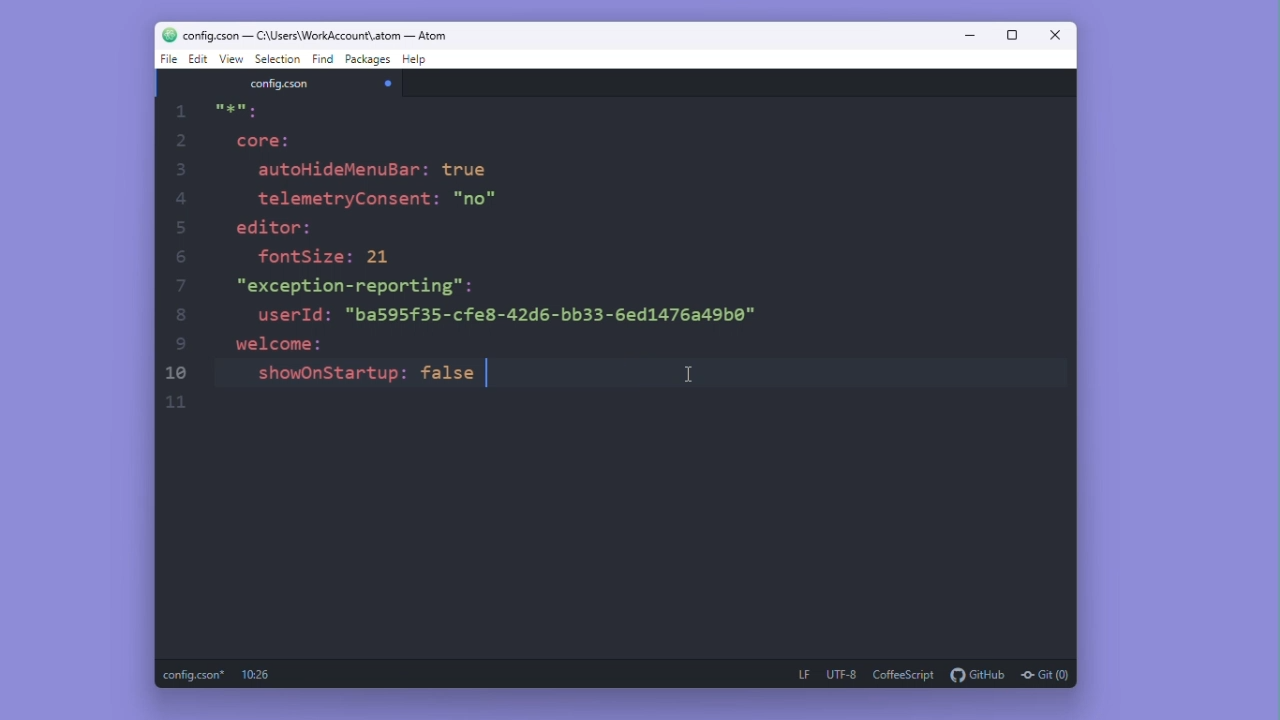 Image resolution: width=1280 pixels, height=720 pixels. Describe the element at coordinates (369, 61) in the screenshot. I see `Packages` at that location.